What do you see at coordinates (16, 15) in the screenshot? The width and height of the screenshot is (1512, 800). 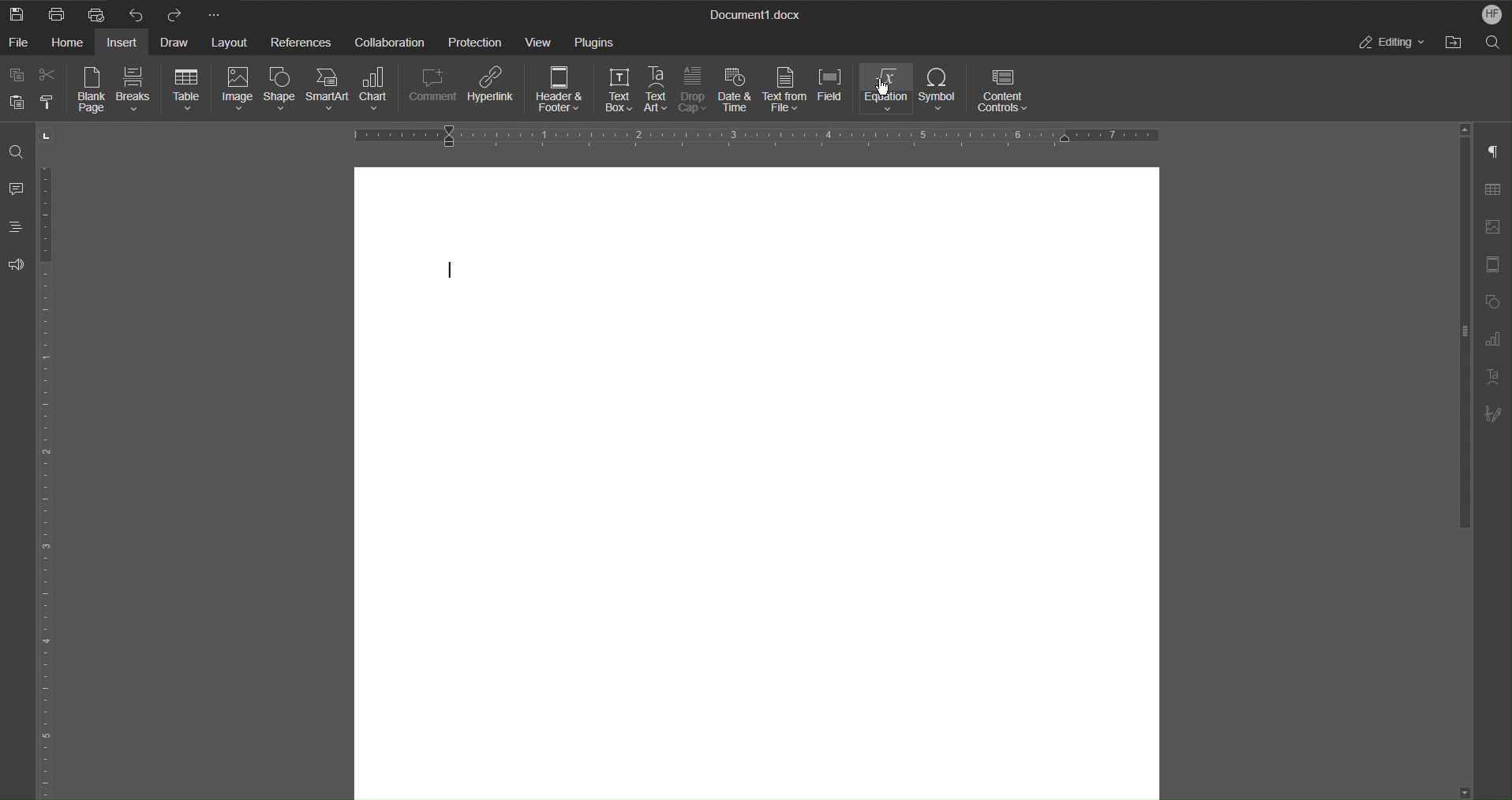 I see `New` at bounding box center [16, 15].